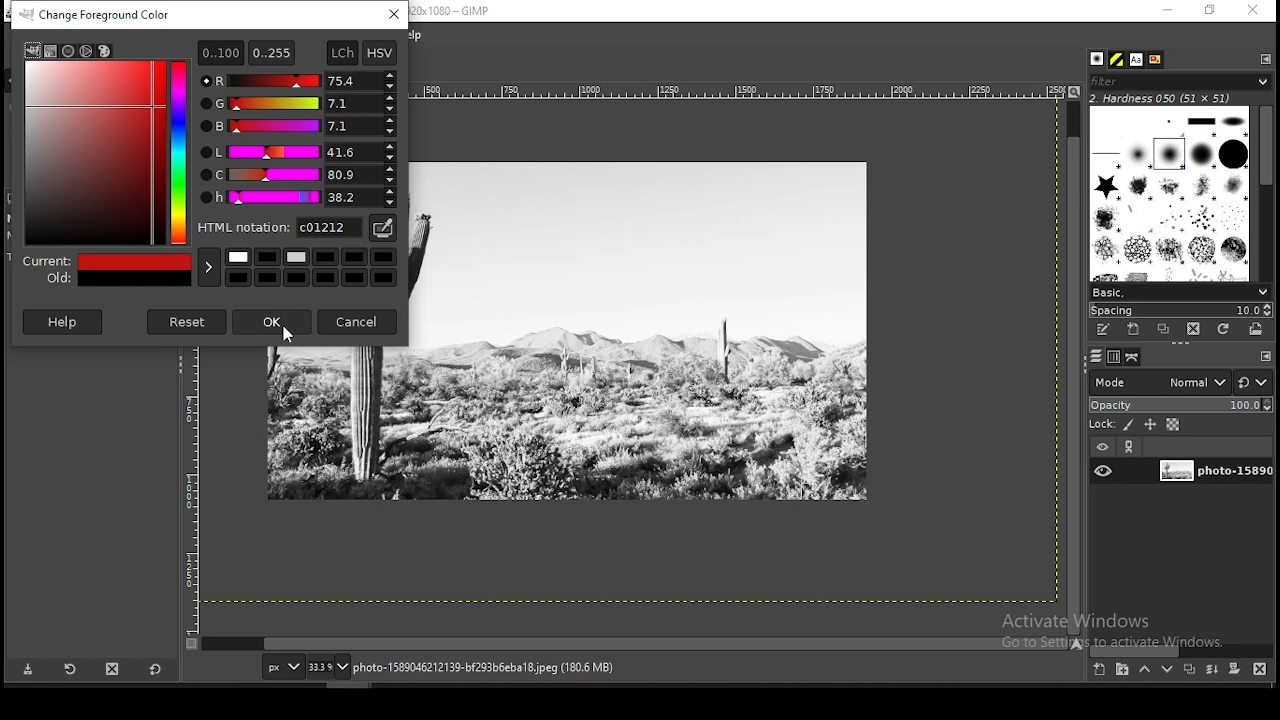 This screenshot has width=1280, height=720. Describe the element at coordinates (297, 175) in the screenshot. I see `lch chroma` at that location.